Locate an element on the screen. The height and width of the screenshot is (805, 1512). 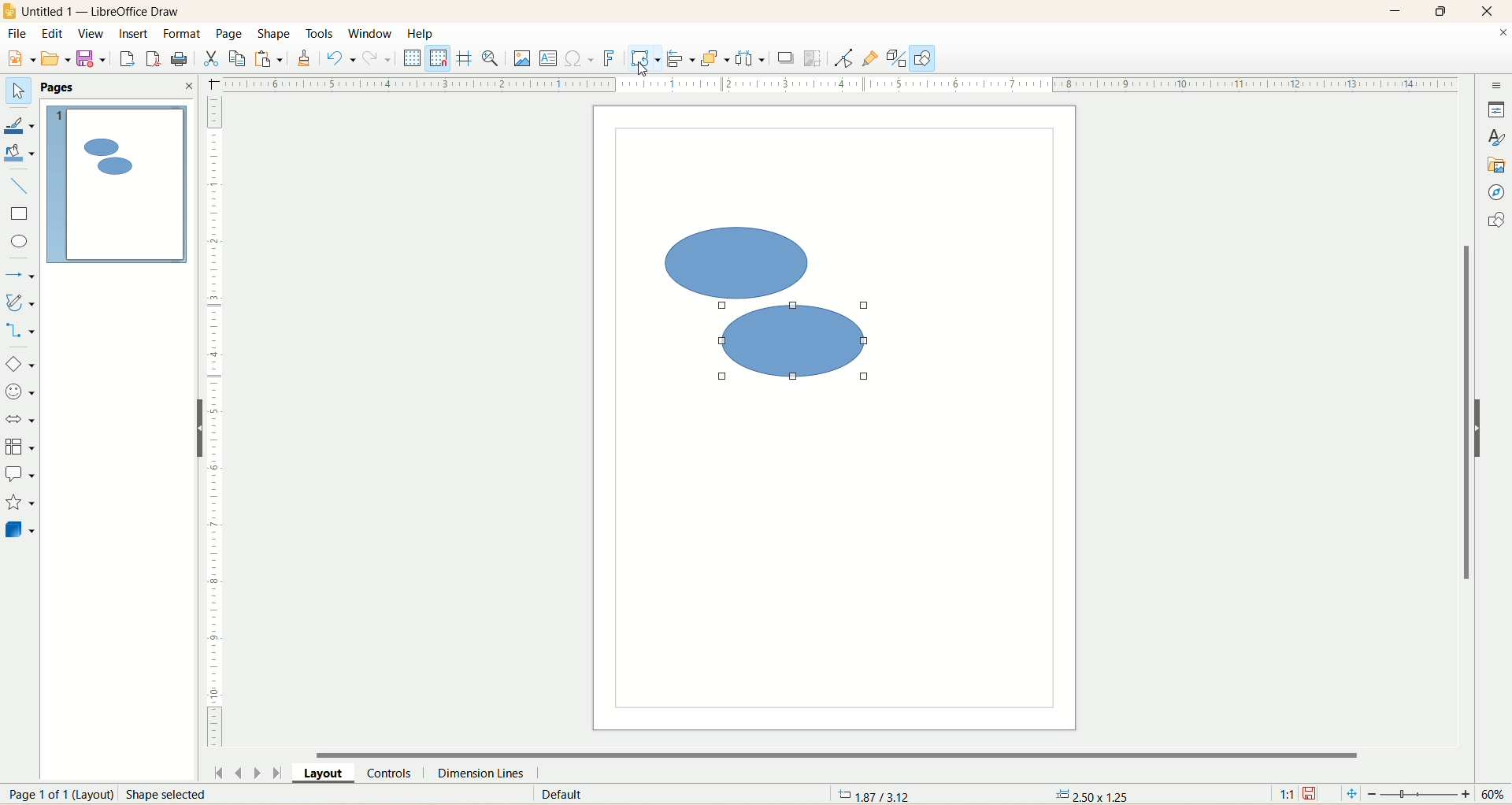
paste is located at coordinates (268, 58).